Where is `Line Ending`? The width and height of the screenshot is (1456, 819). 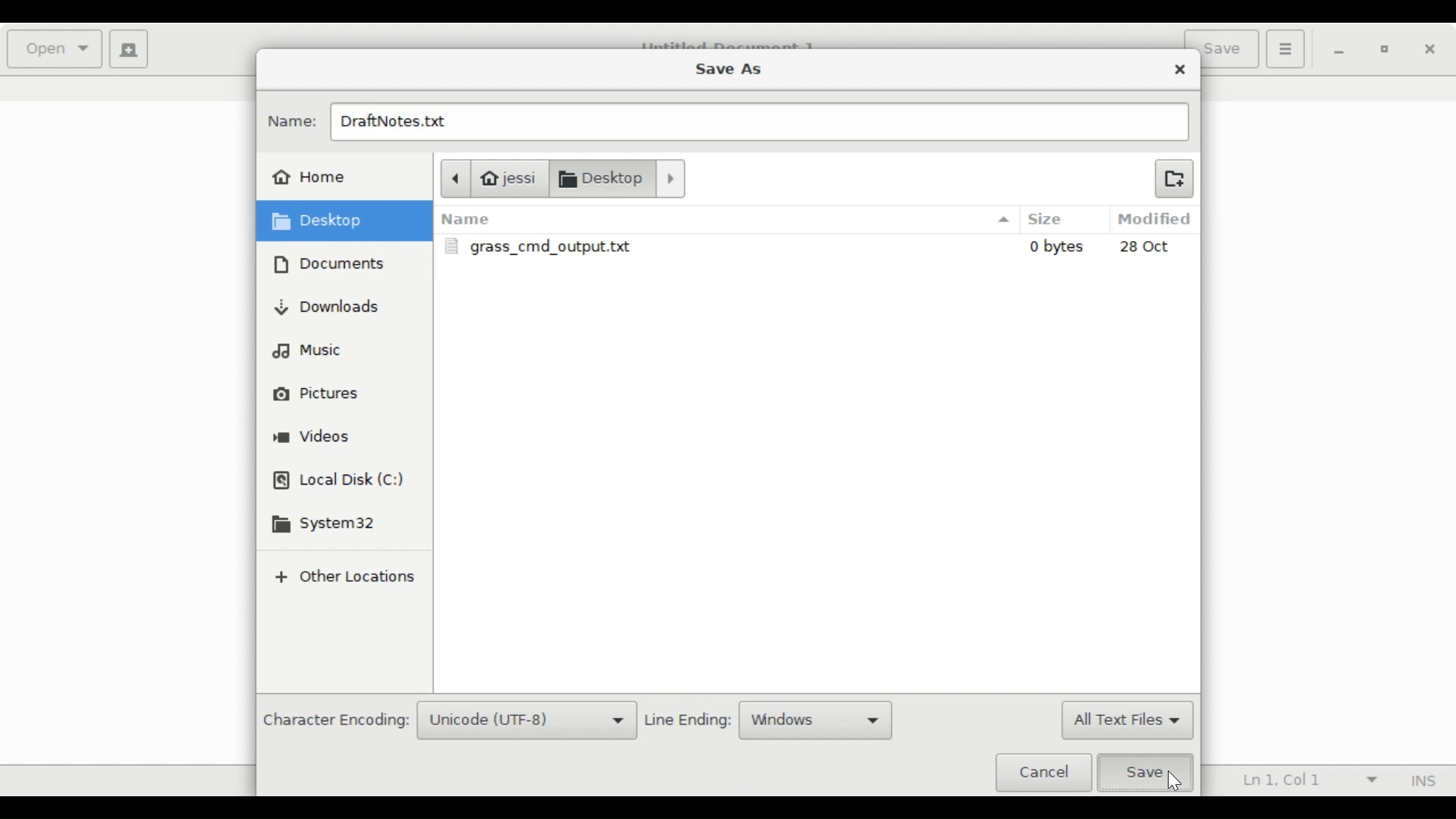 Line Ending is located at coordinates (689, 720).